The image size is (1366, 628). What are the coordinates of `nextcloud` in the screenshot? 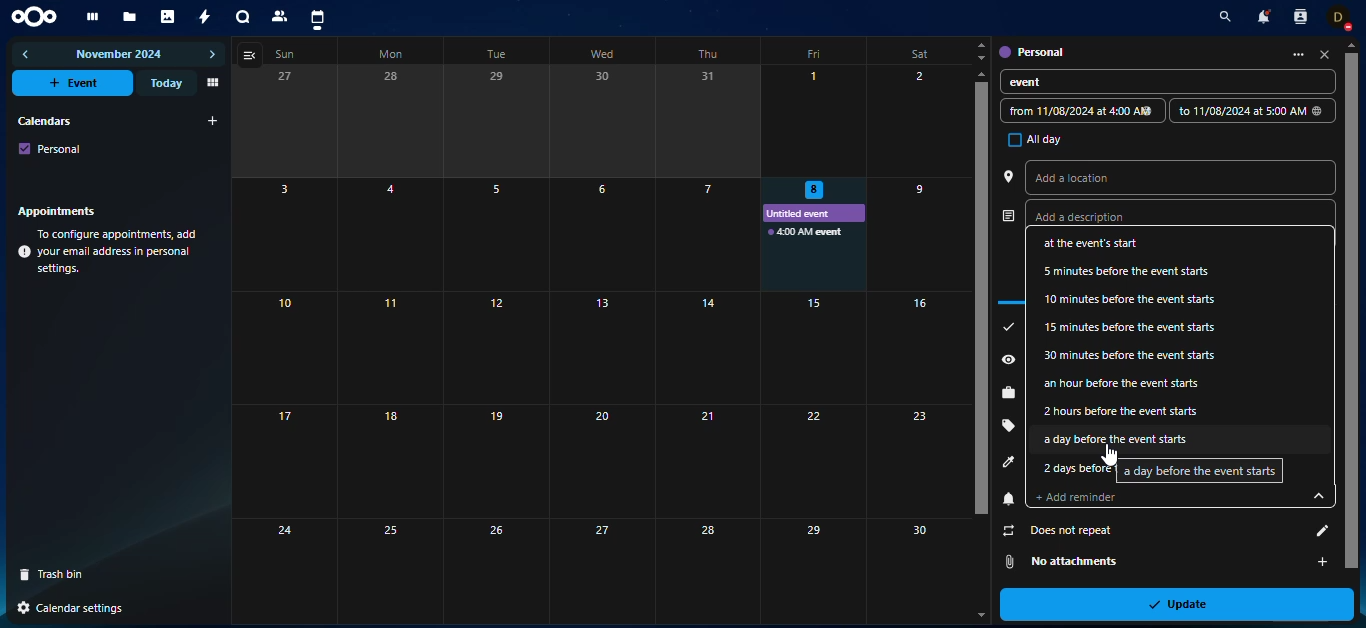 It's located at (38, 15).